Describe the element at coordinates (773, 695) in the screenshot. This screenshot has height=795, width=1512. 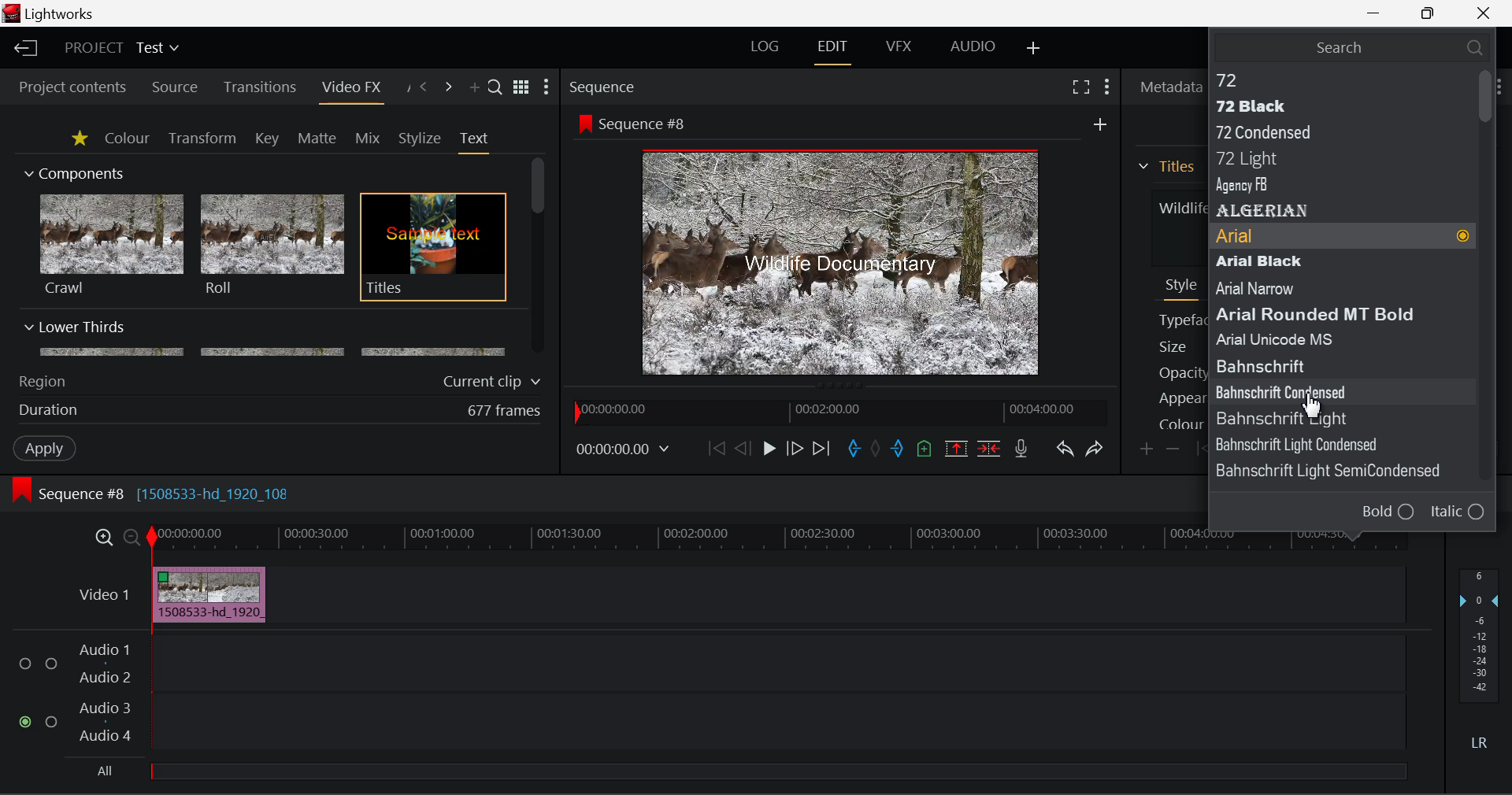
I see `Audio Input` at that location.